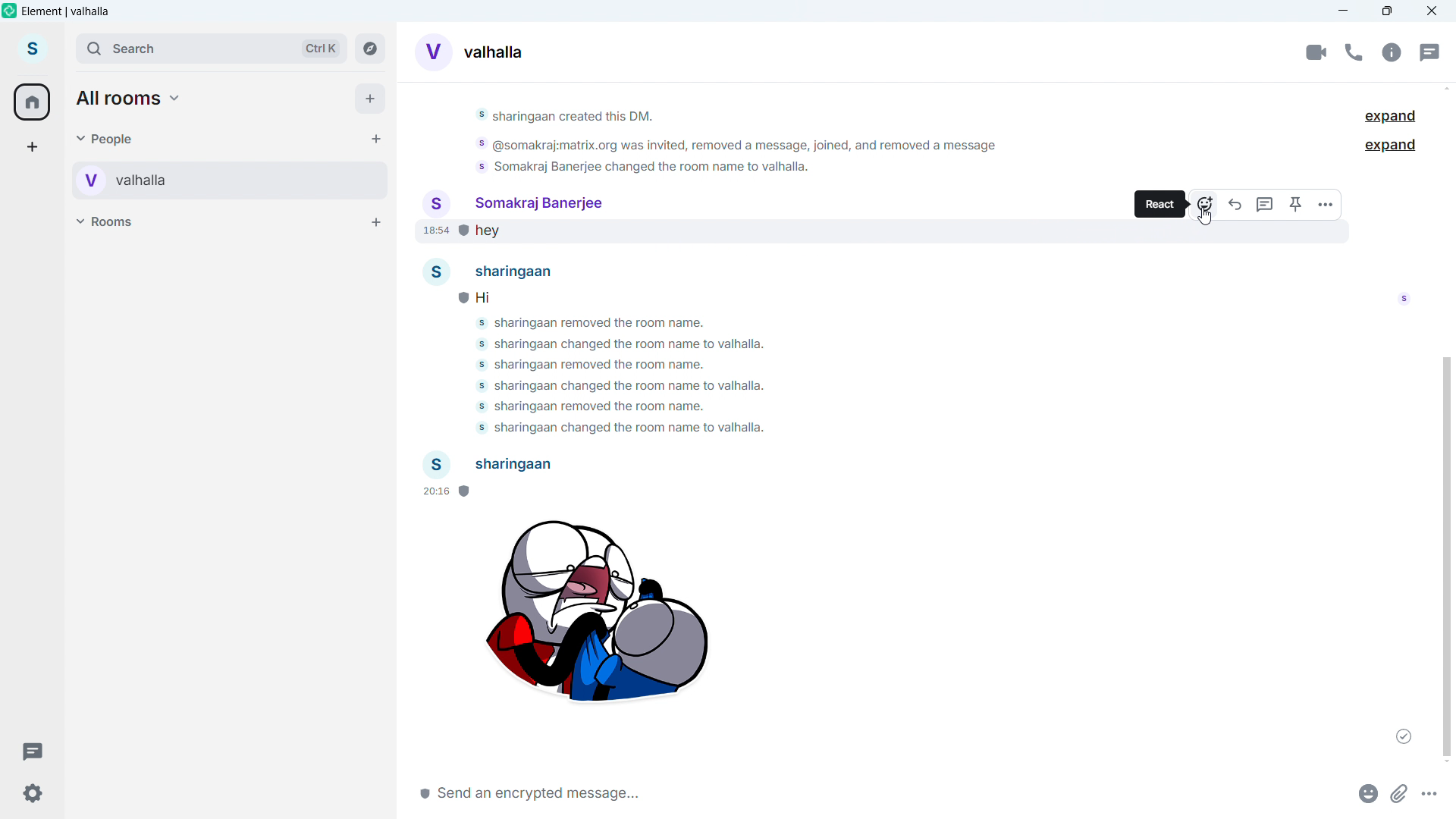 Image resolution: width=1456 pixels, height=819 pixels. I want to click on people , so click(106, 138).